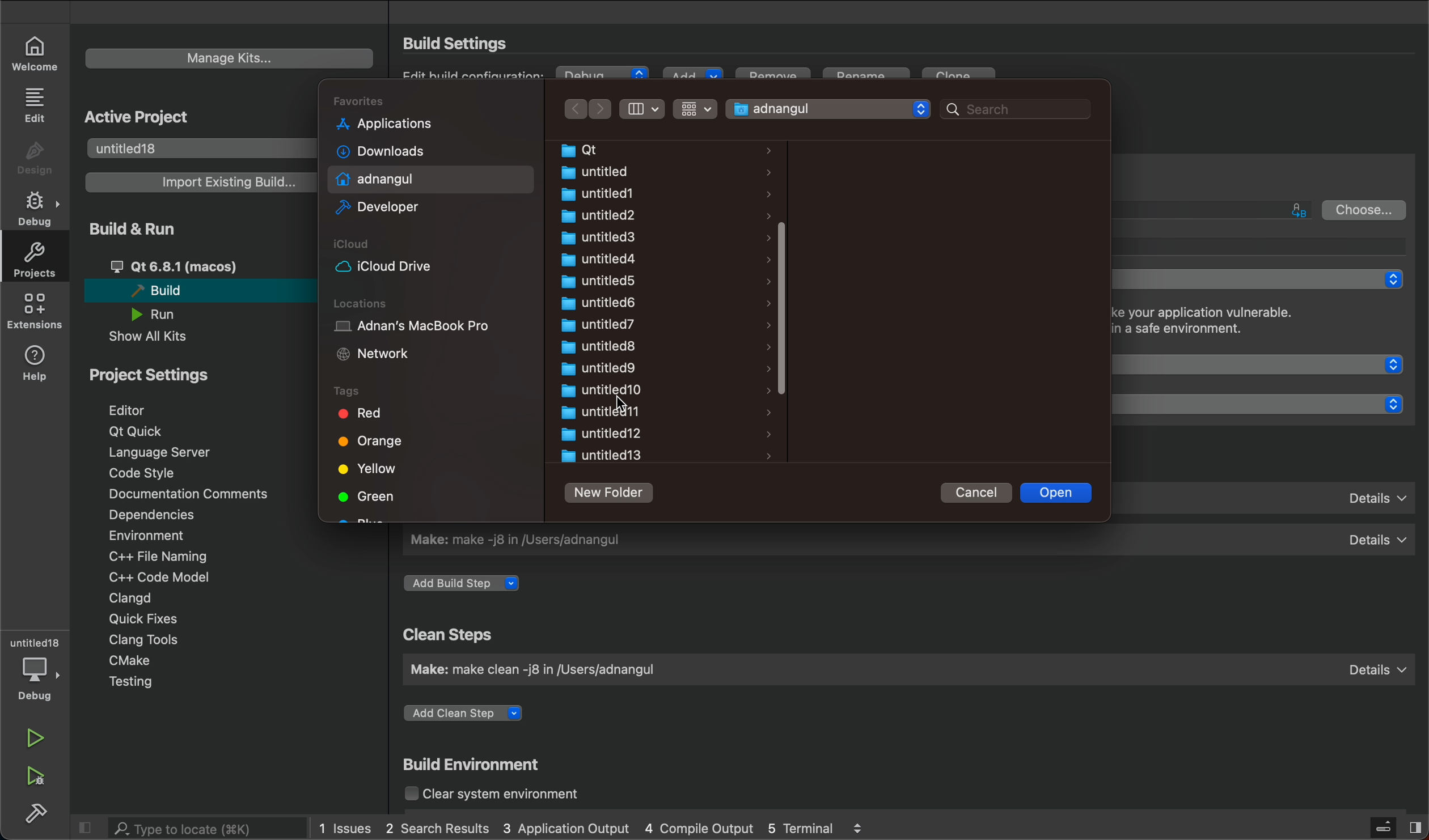 The height and width of the screenshot is (840, 1429). What do you see at coordinates (209, 265) in the screenshot?
I see `qt 6.8.1 (macos)` at bounding box center [209, 265].